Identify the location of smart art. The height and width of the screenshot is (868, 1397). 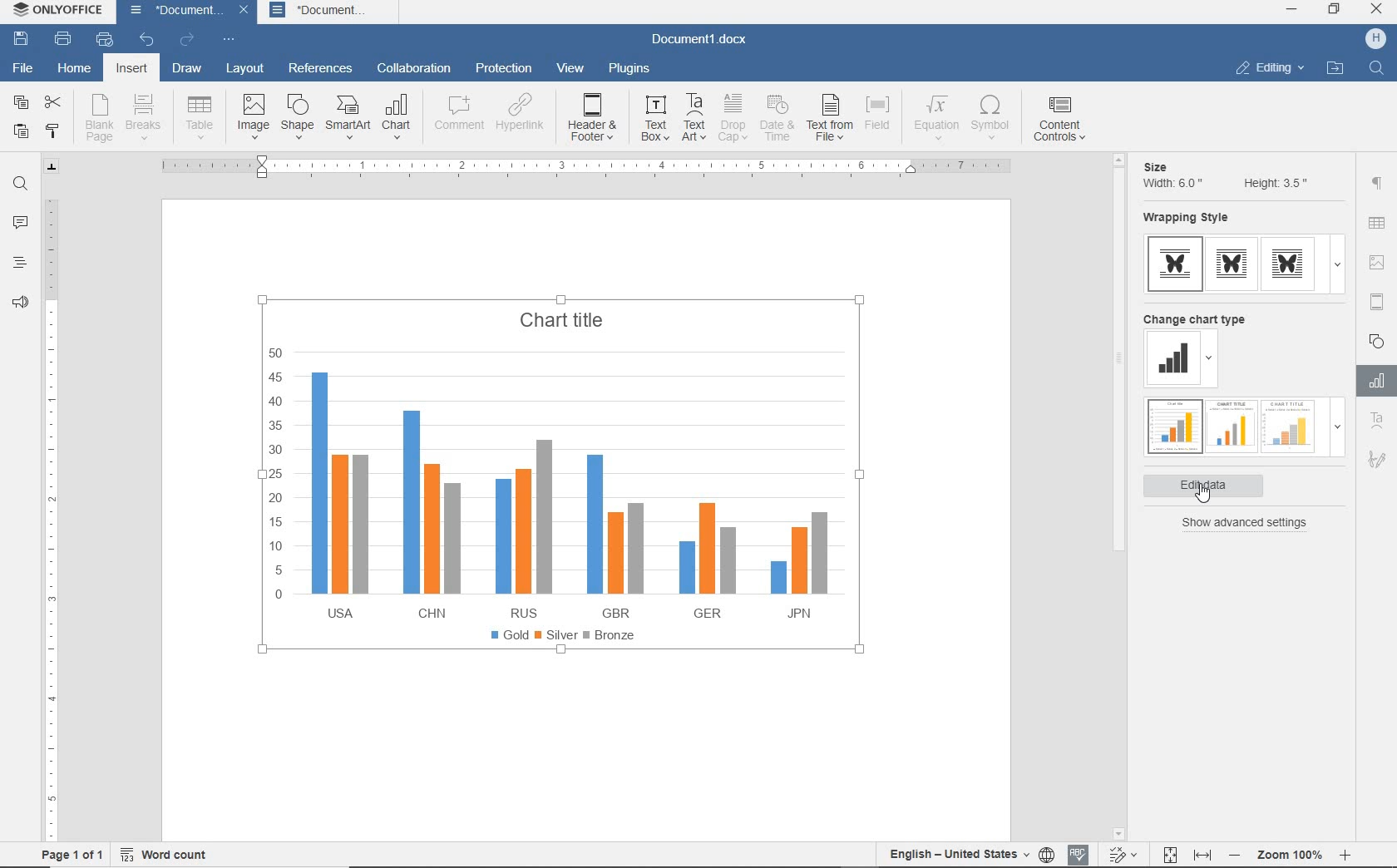
(348, 119).